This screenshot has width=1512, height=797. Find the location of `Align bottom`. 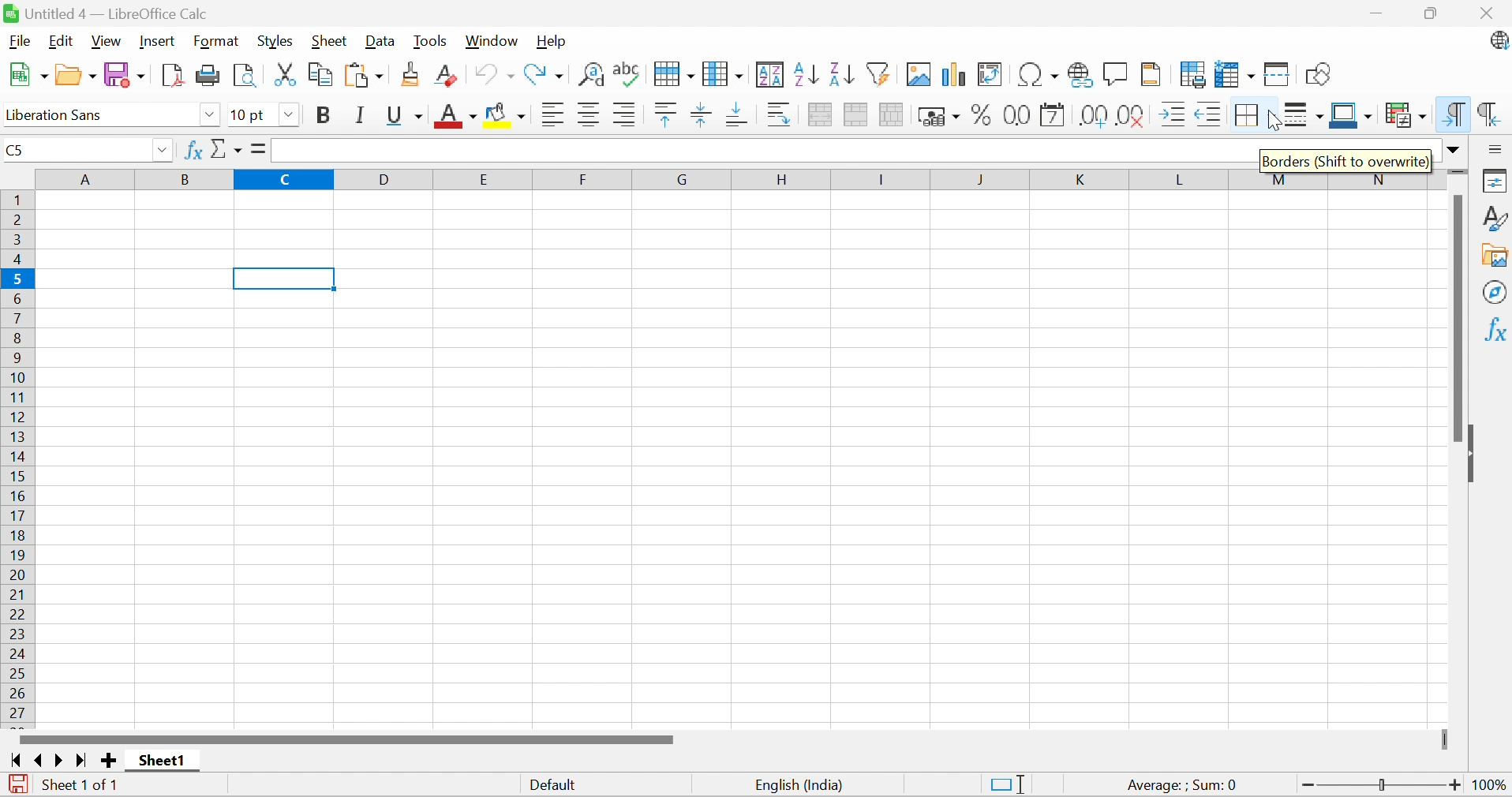

Align bottom is located at coordinates (740, 114).